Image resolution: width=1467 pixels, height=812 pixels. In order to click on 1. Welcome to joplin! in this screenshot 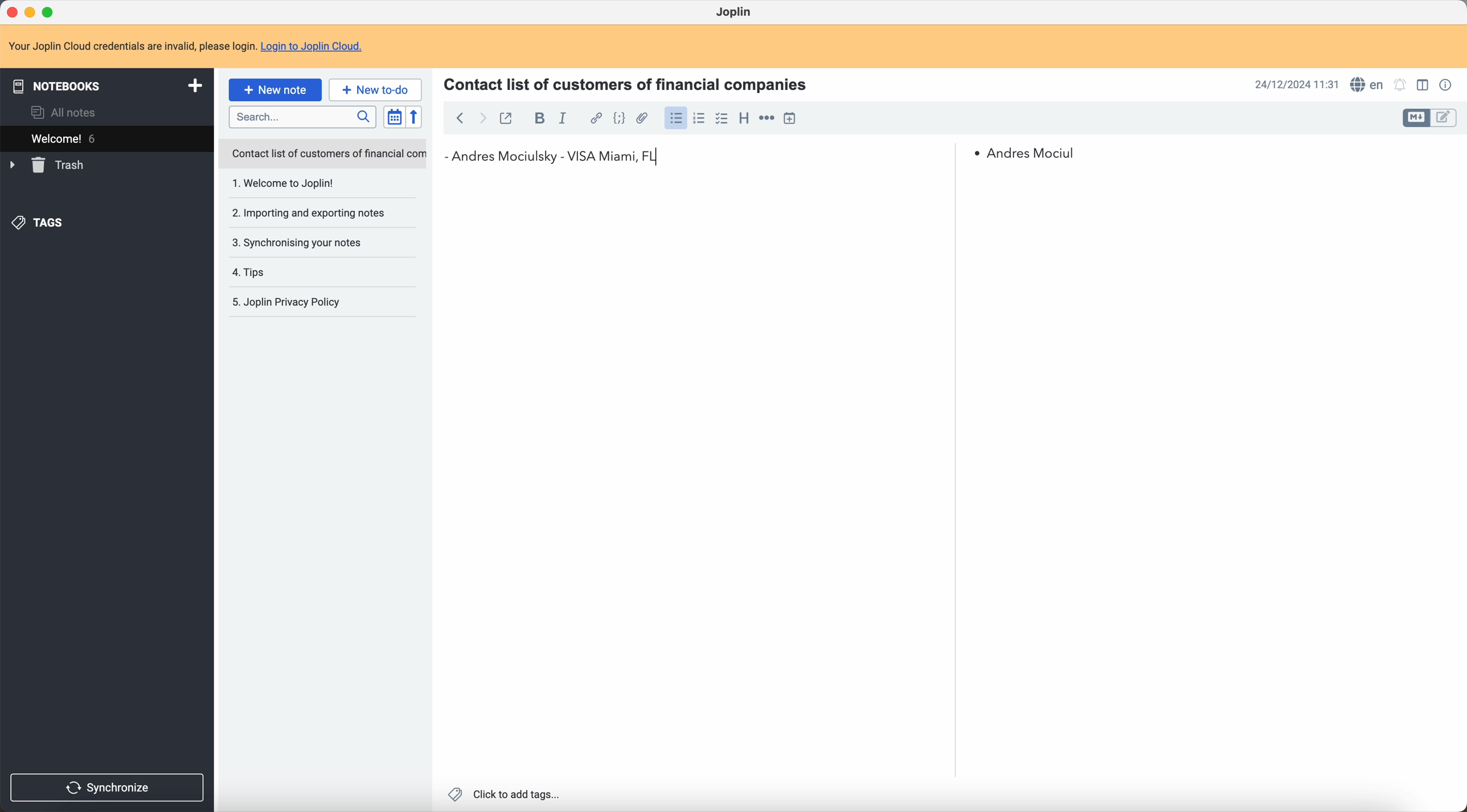, I will do `click(310, 184)`.